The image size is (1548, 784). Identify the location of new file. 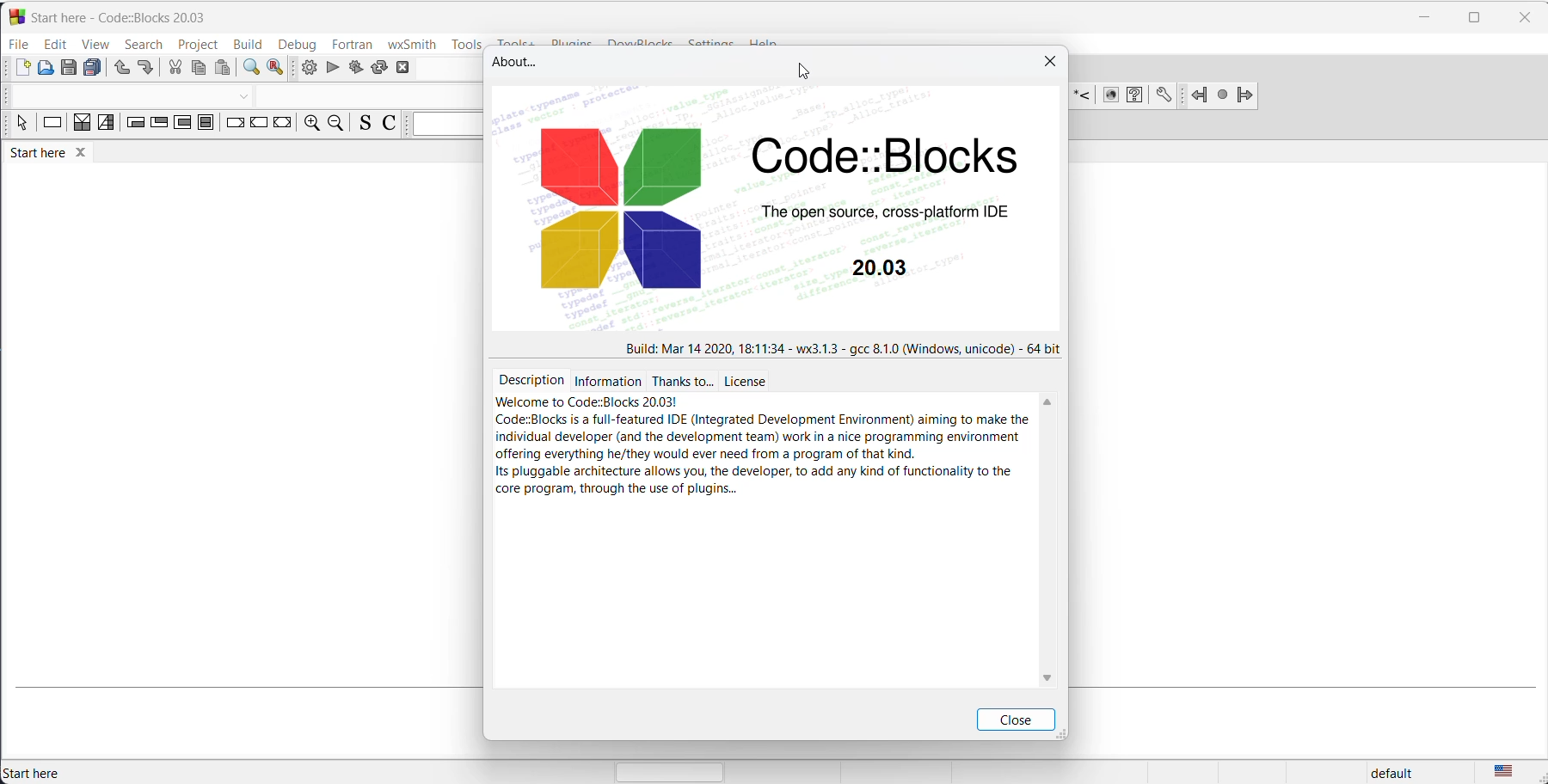
(21, 69).